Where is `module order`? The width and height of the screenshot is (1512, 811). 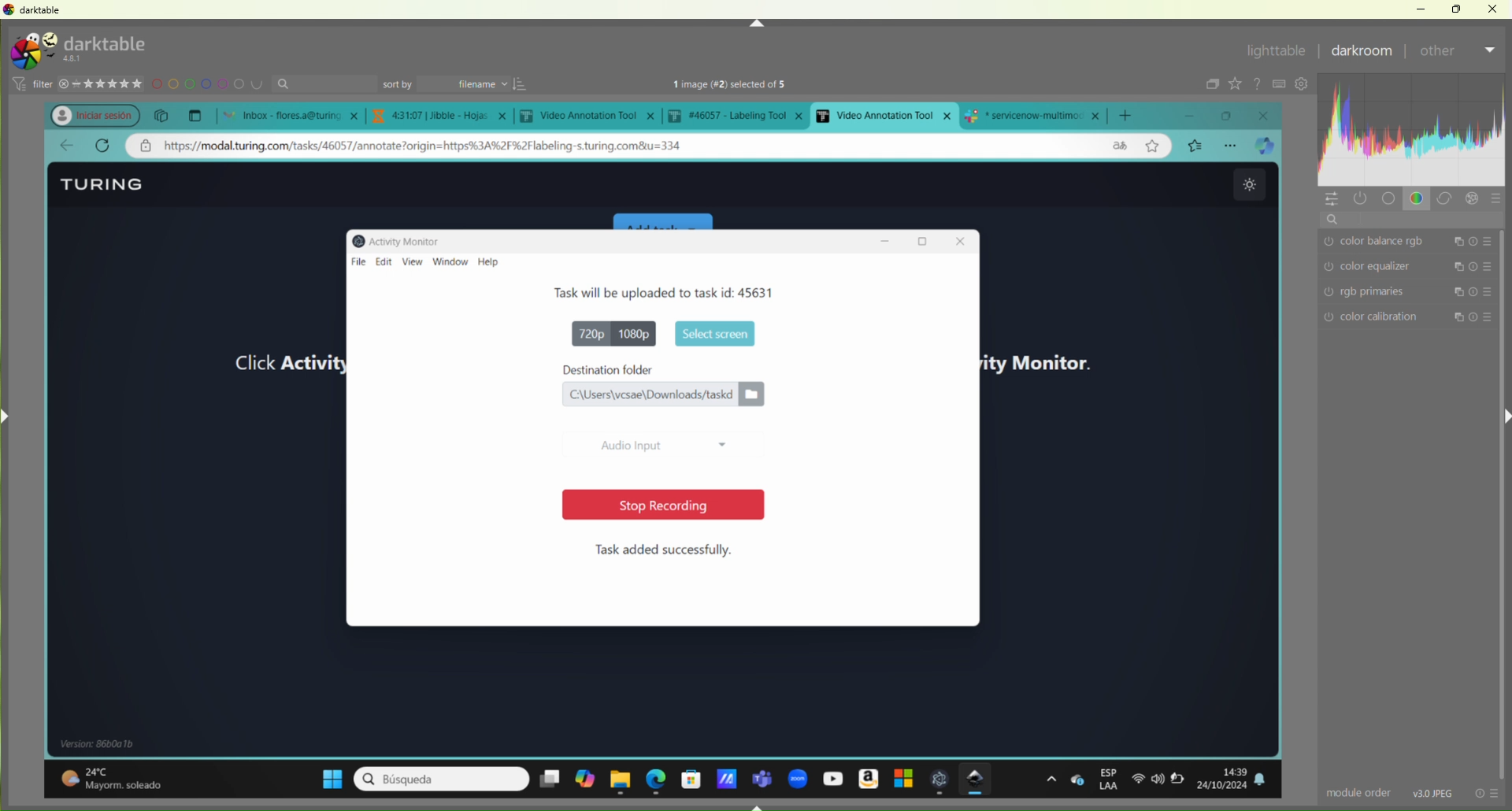 module order is located at coordinates (1351, 792).